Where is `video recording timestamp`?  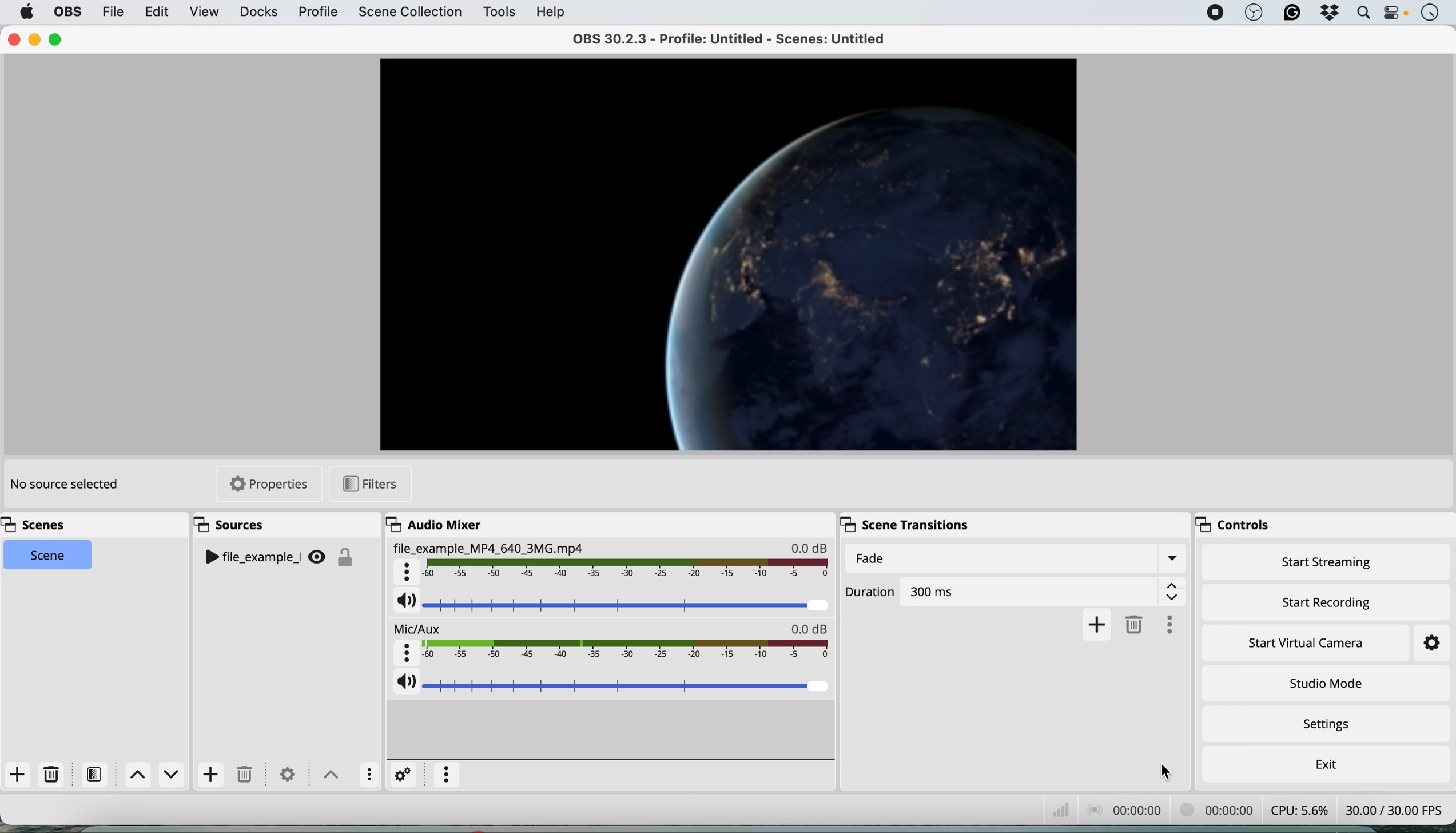
video recording timestamp is located at coordinates (1218, 808).